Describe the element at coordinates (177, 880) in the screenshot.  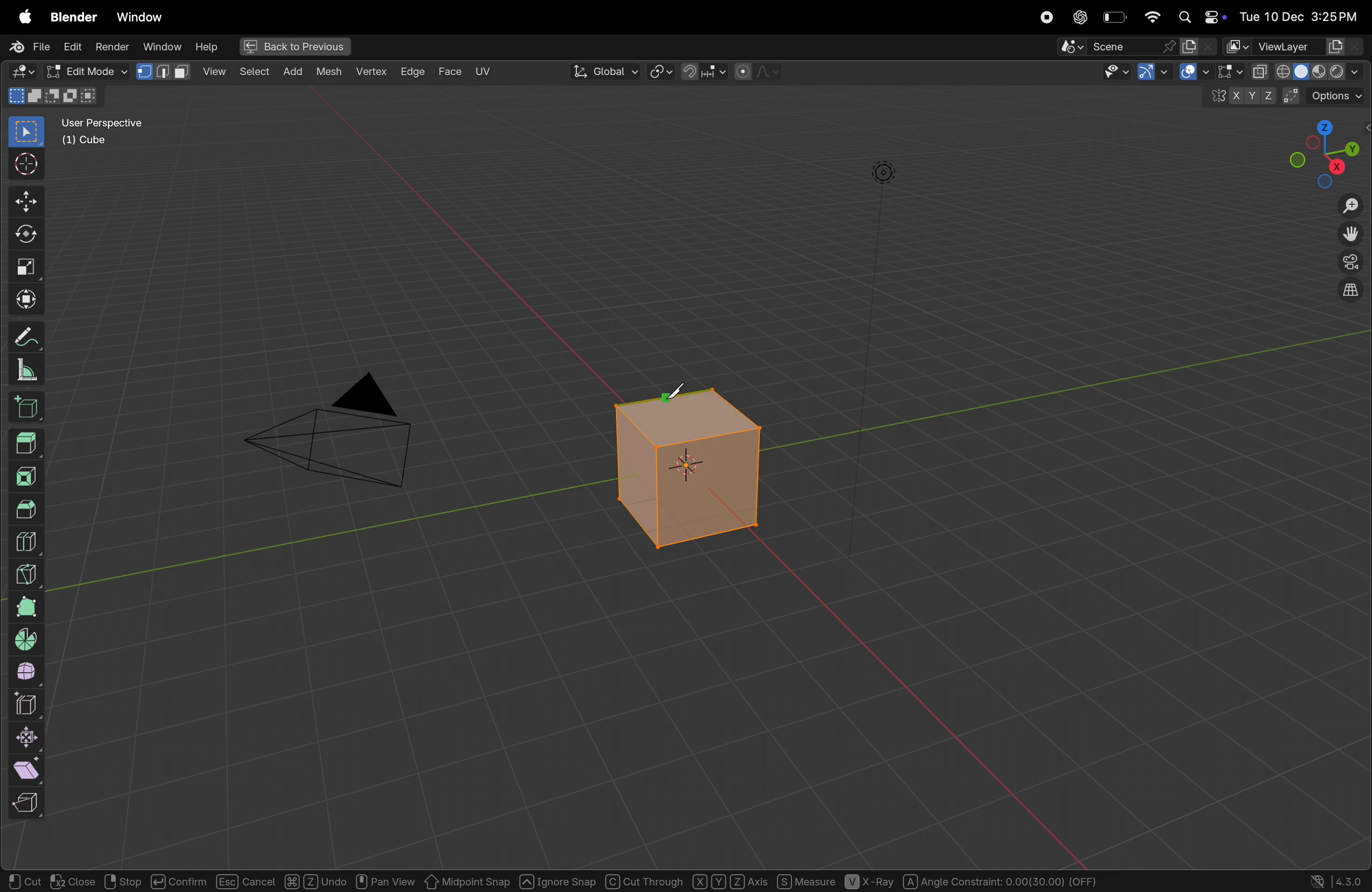
I see `Confirm` at that location.